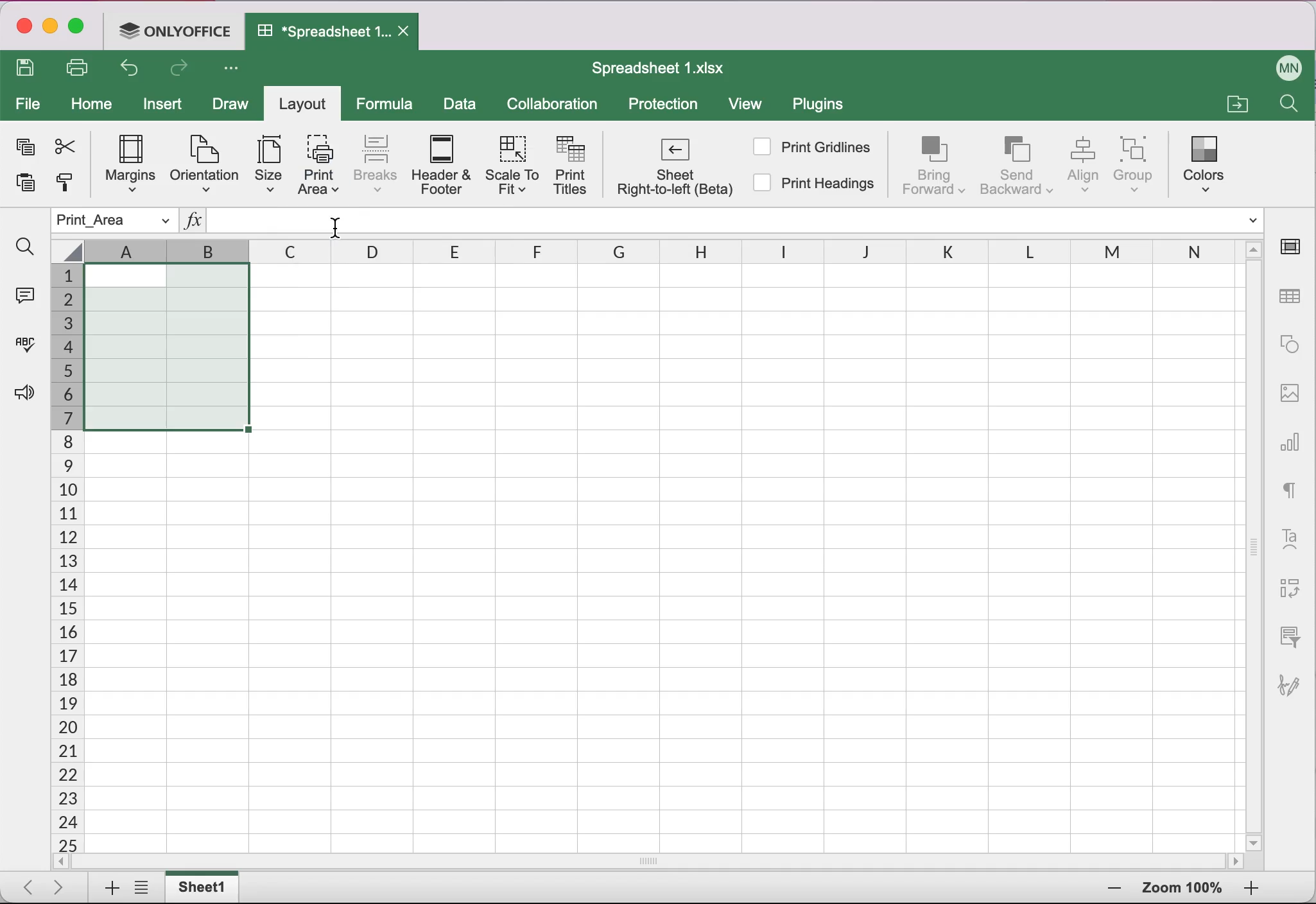  What do you see at coordinates (1290, 487) in the screenshot?
I see `text` at bounding box center [1290, 487].